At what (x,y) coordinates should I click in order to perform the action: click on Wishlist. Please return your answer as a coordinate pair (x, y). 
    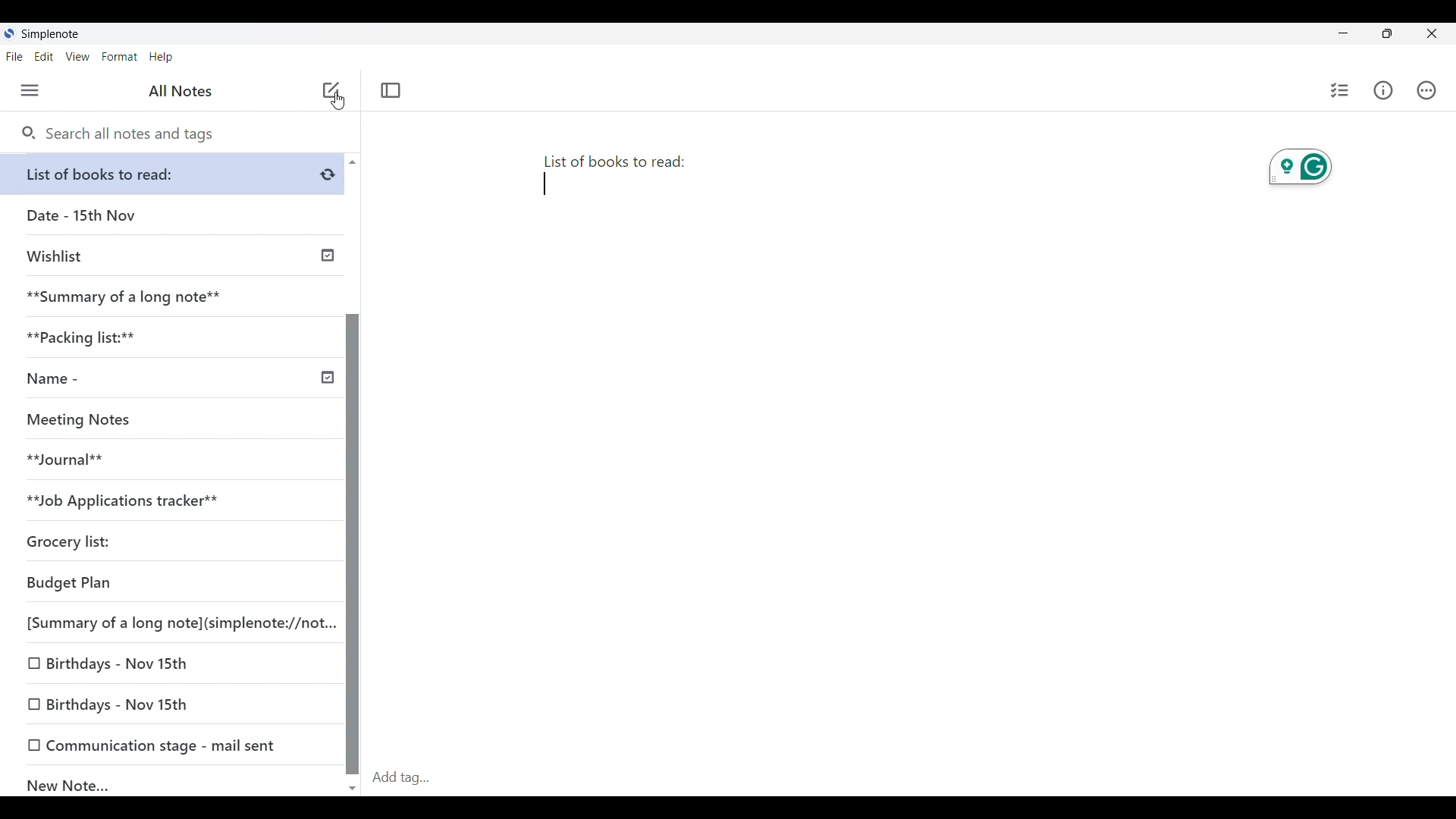
    Looking at the image, I should click on (176, 254).